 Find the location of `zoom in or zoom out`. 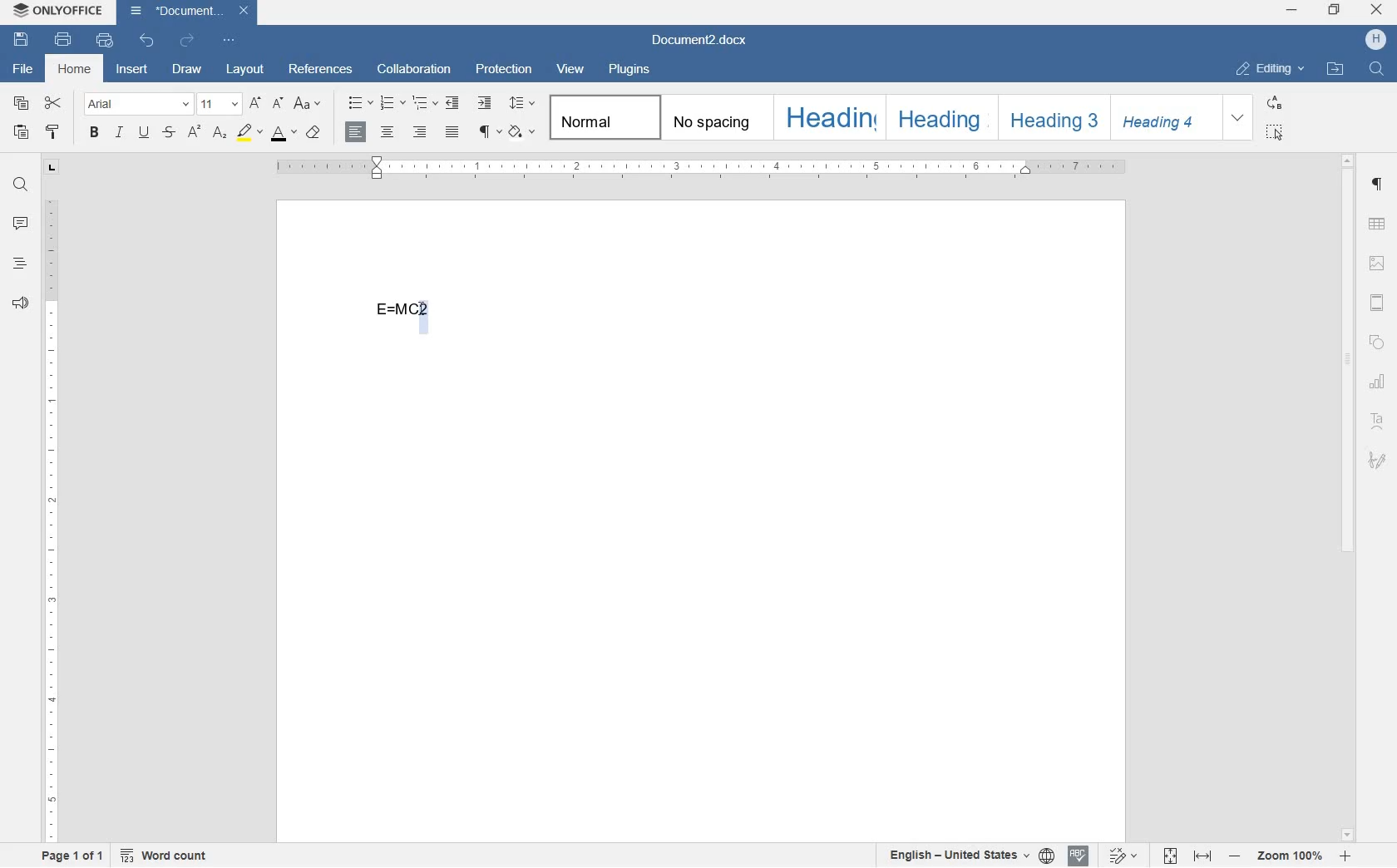

zoom in or zoom out is located at coordinates (1287, 857).